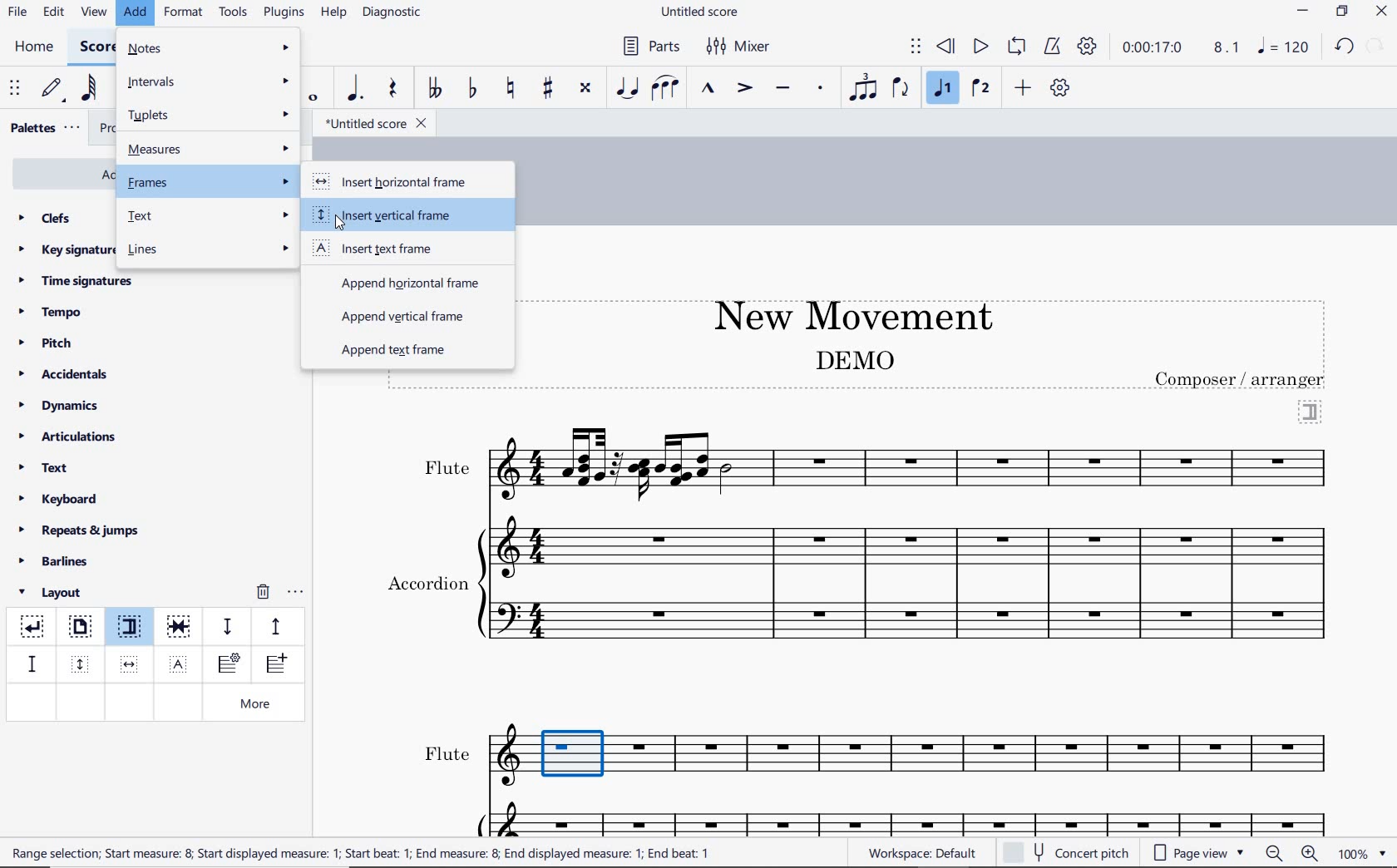 This screenshot has height=868, width=1397. Describe the element at coordinates (208, 147) in the screenshot. I see `measures` at that location.